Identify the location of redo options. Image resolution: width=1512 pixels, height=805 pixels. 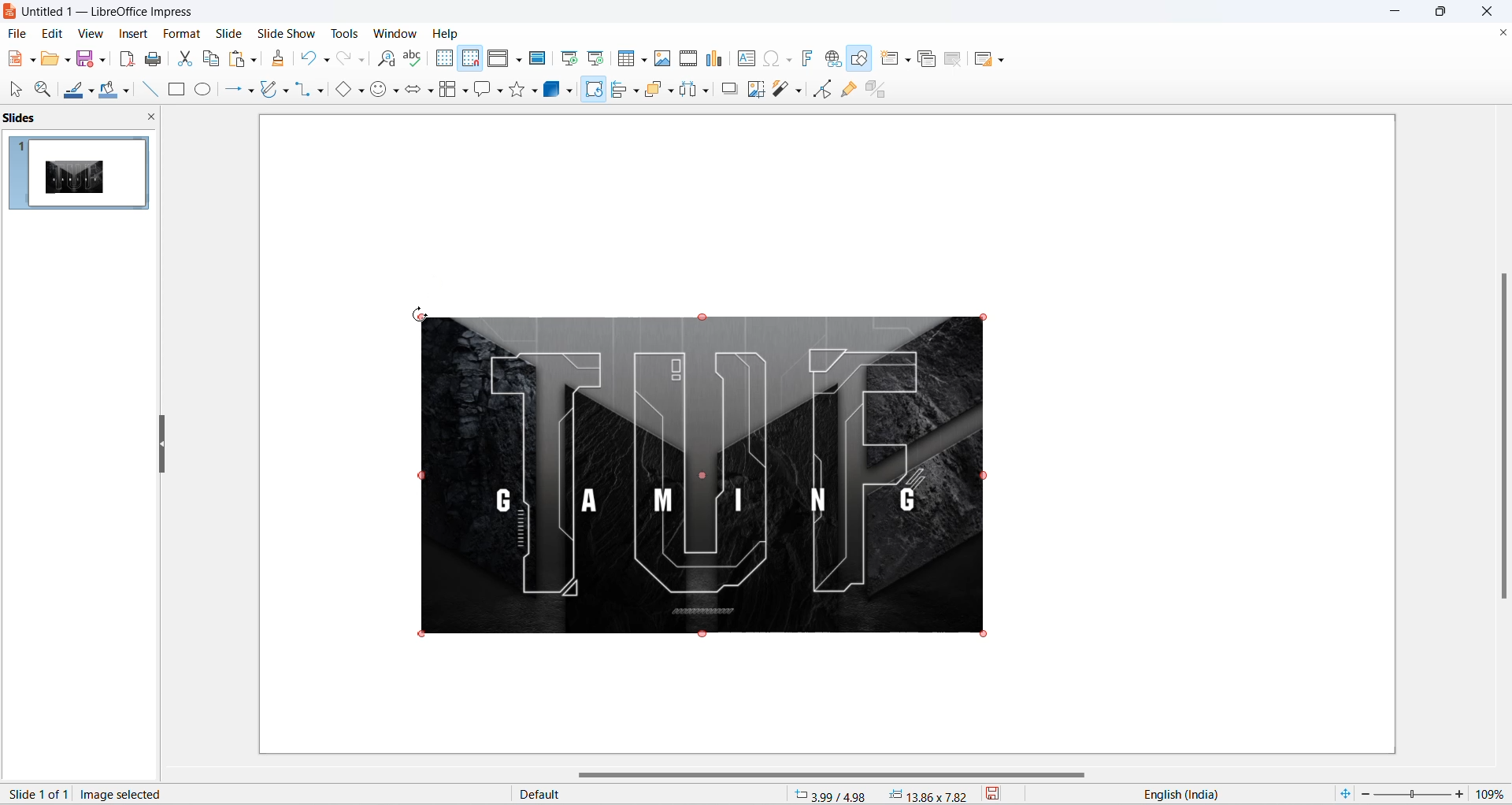
(363, 61).